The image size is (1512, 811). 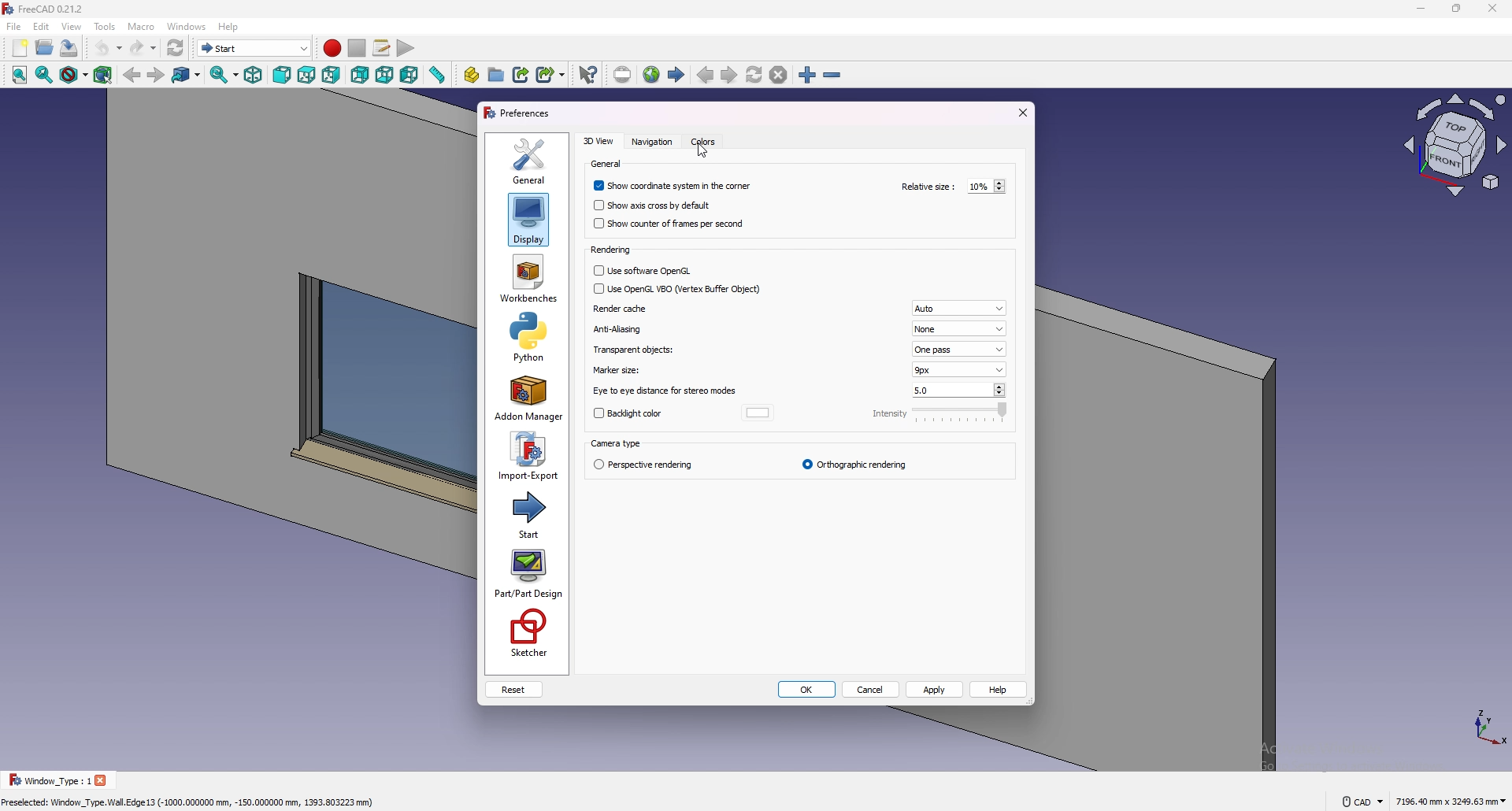 What do you see at coordinates (383, 48) in the screenshot?
I see `macros` at bounding box center [383, 48].